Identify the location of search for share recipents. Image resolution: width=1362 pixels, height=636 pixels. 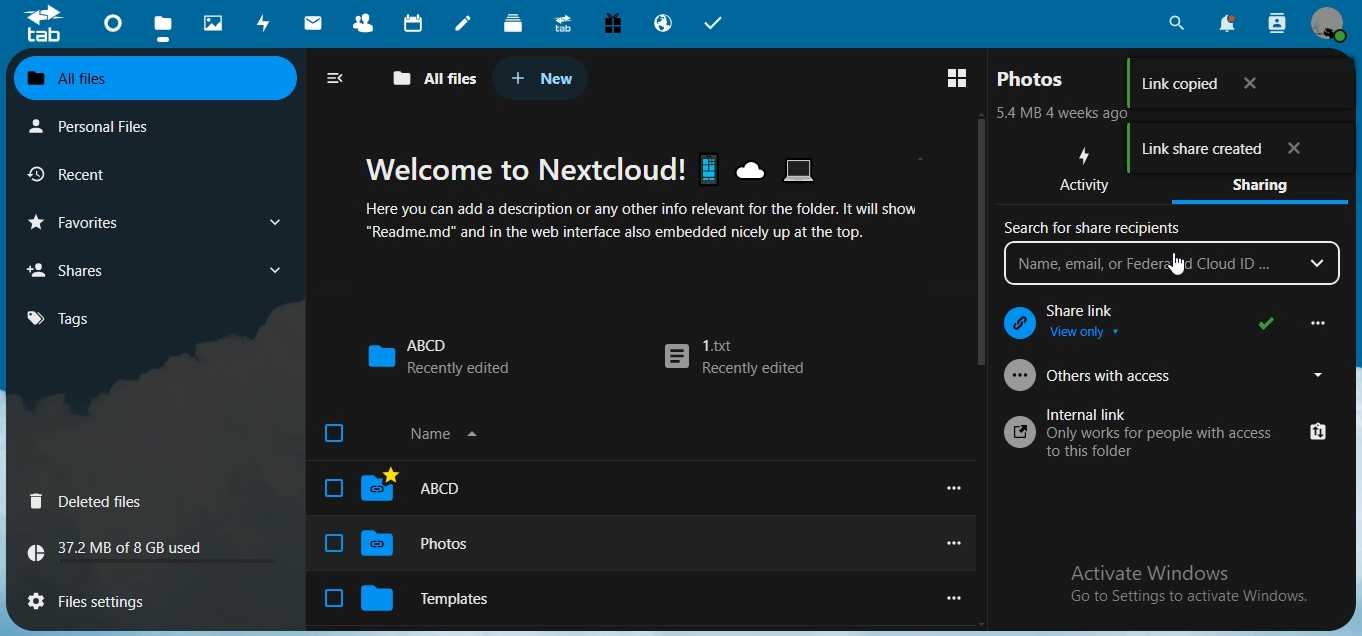
(1095, 230).